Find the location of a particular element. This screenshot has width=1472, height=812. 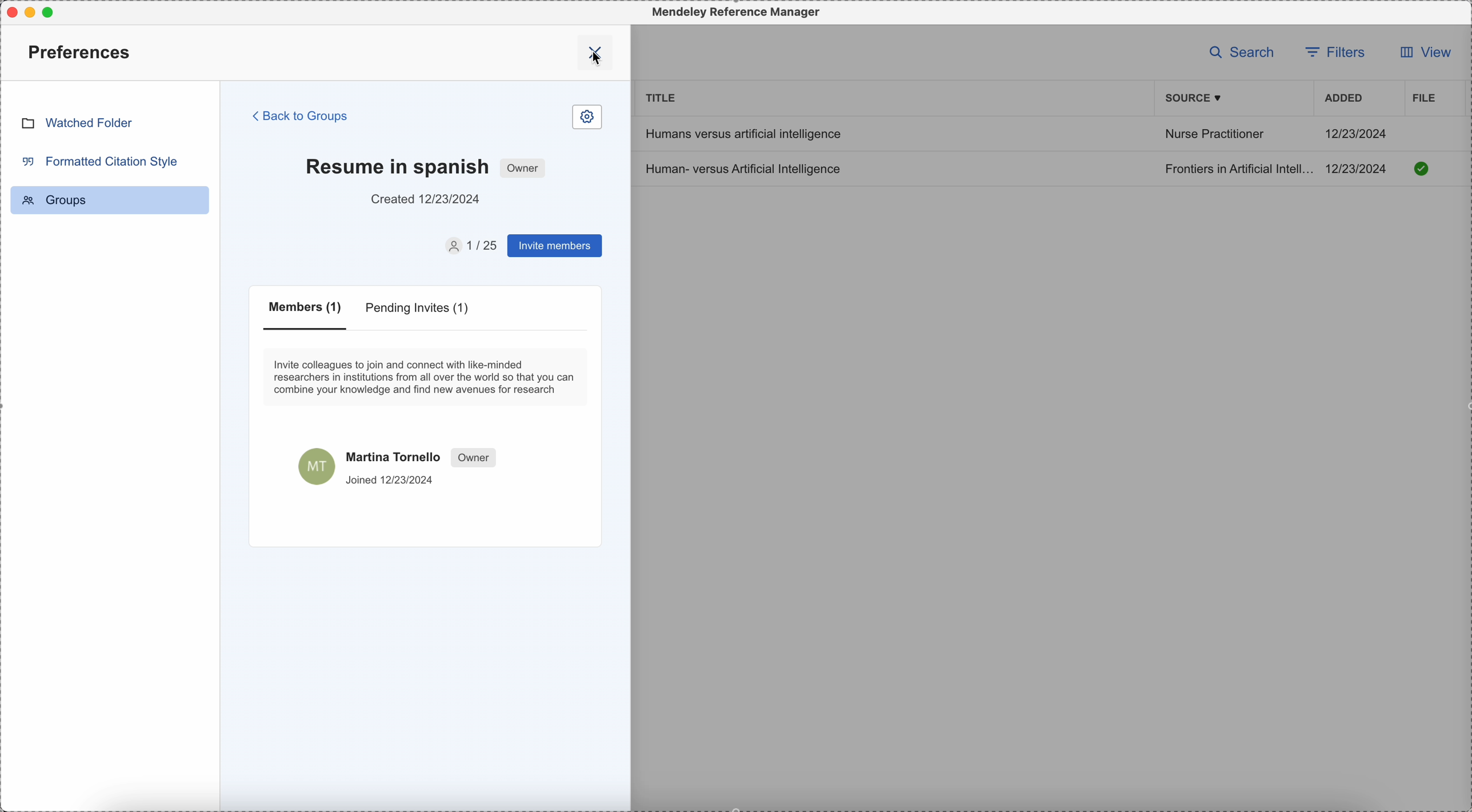

close program is located at coordinates (9, 10).